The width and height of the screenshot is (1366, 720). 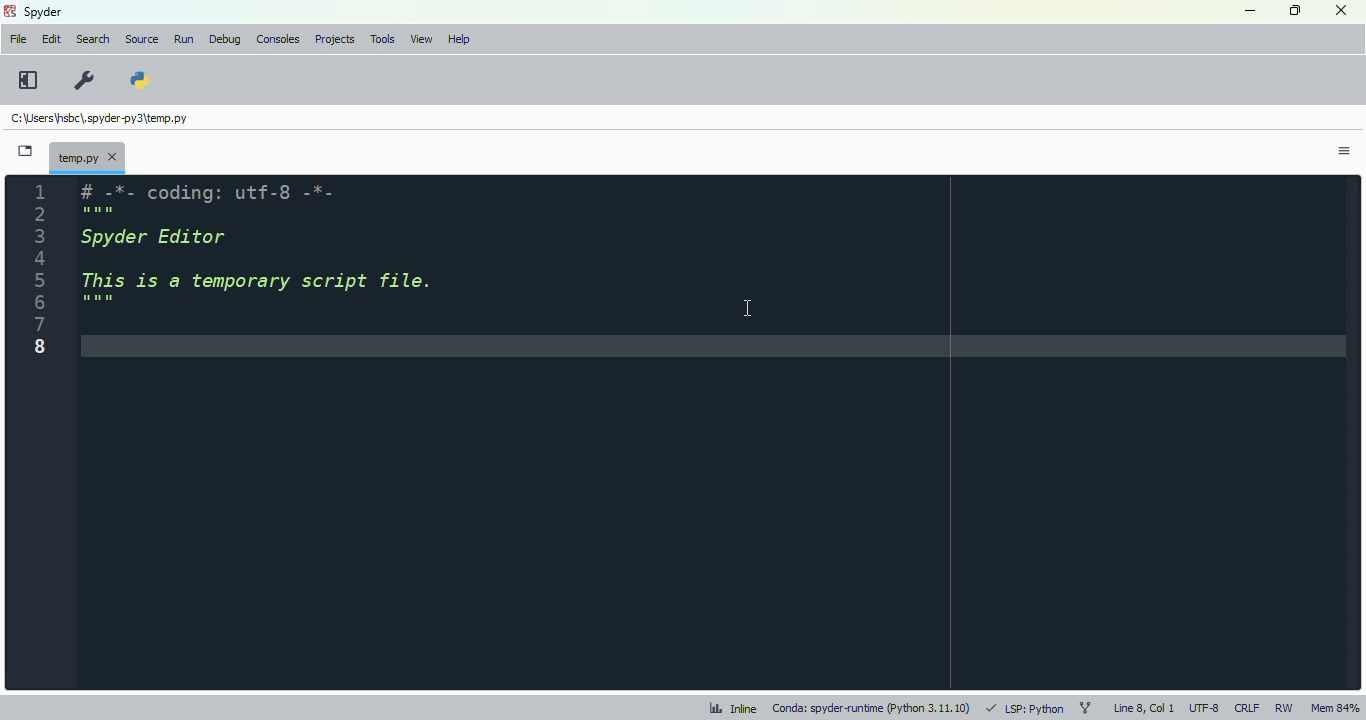 What do you see at coordinates (1293, 10) in the screenshot?
I see `maximize` at bounding box center [1293, 10].